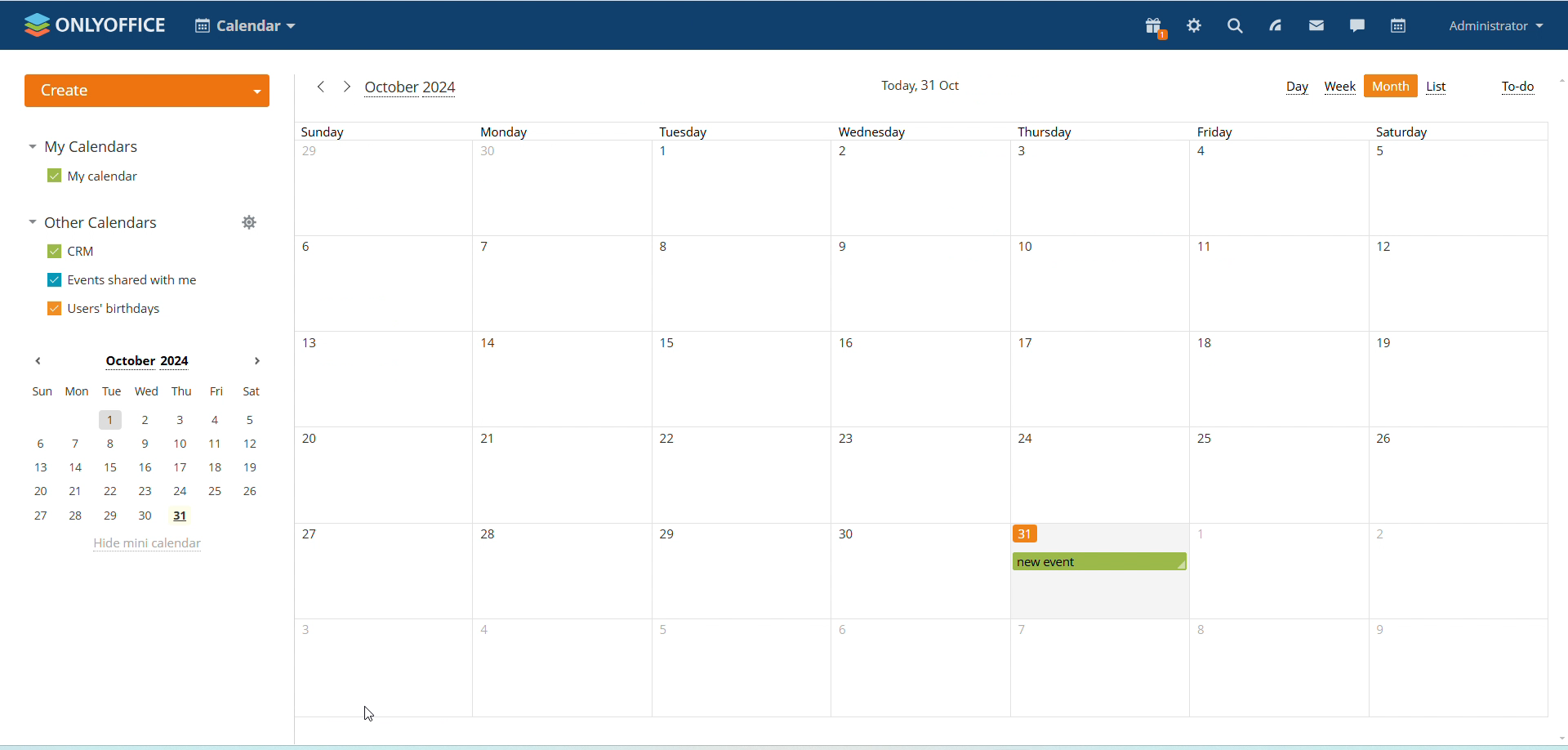  What do you see at coordinates (1276, 27) in the screenshot?
I see `feed` at bounding box center [1276, 27].